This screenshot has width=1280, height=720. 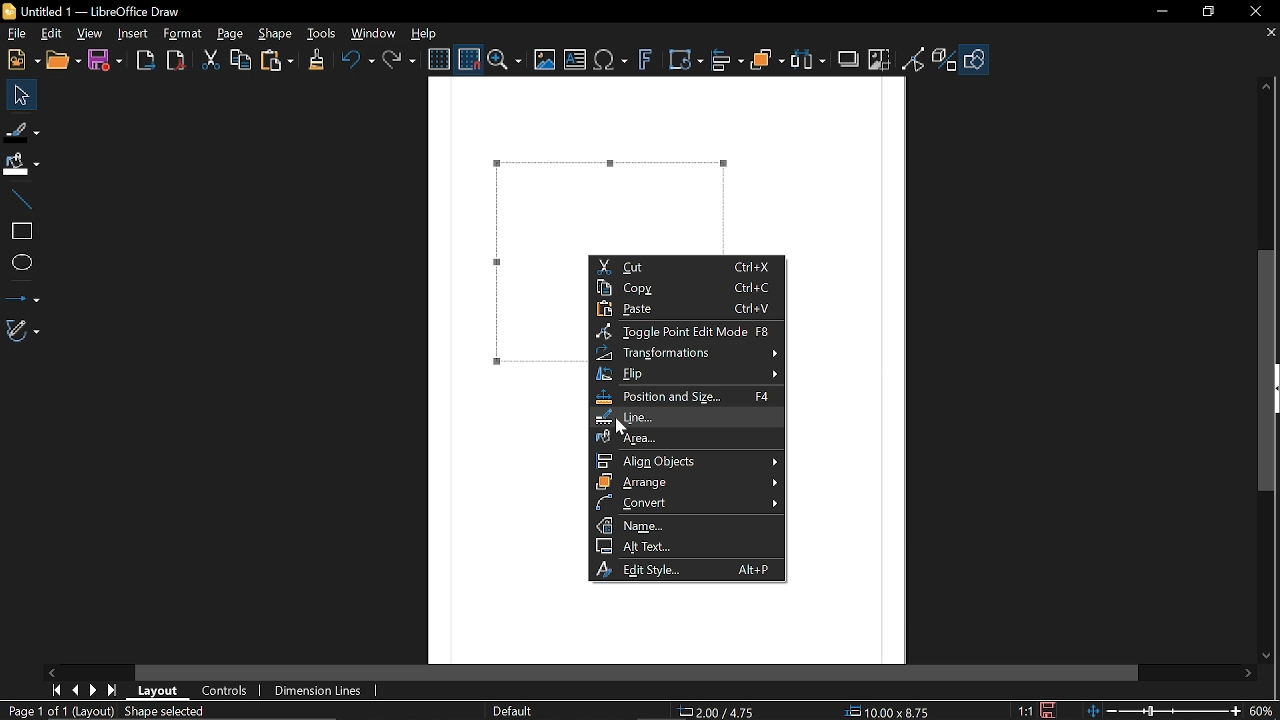 I want to click on Line, so click(x=21, y=201).